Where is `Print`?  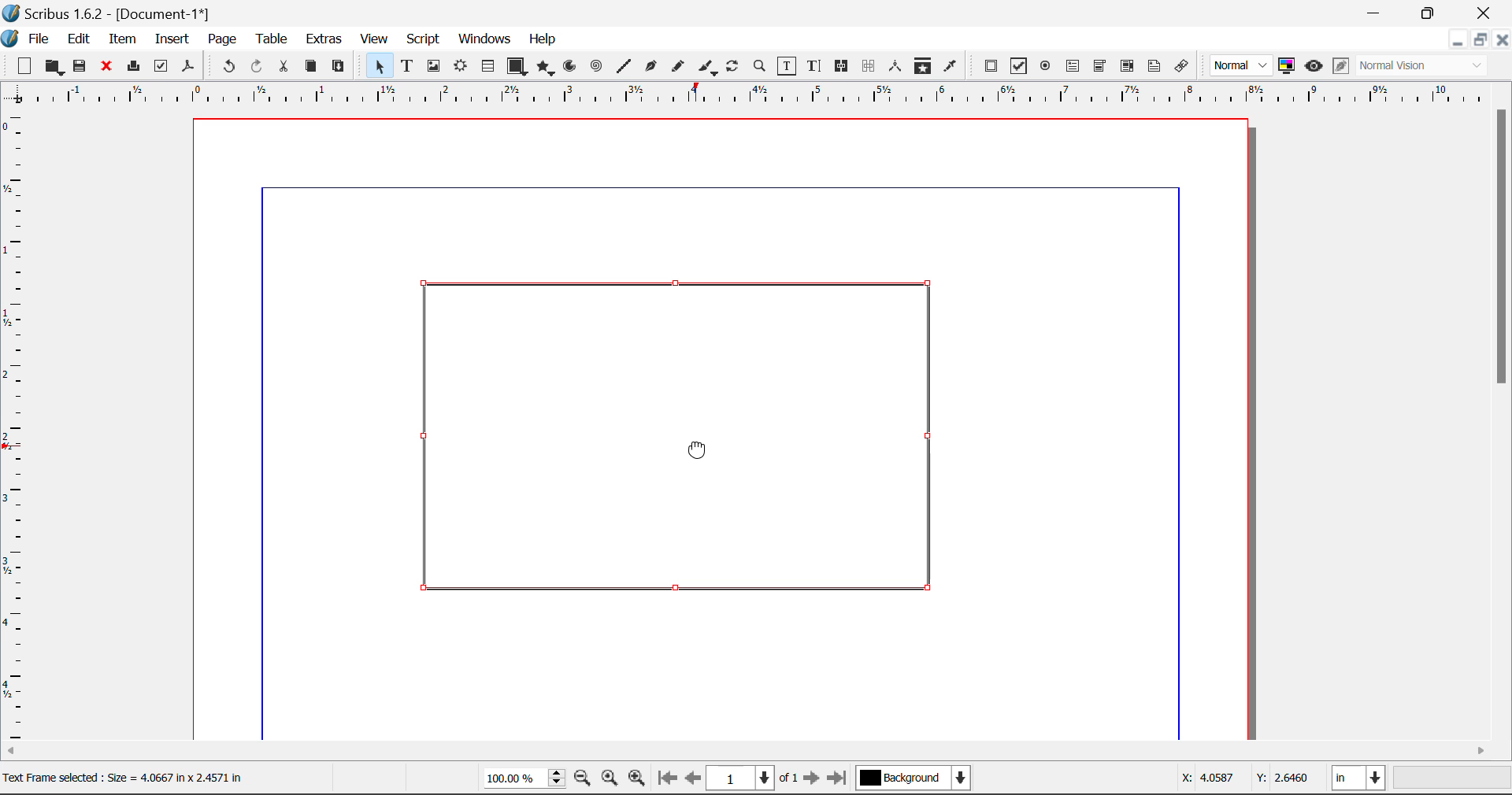
Print is located at coordinates (132, 67).